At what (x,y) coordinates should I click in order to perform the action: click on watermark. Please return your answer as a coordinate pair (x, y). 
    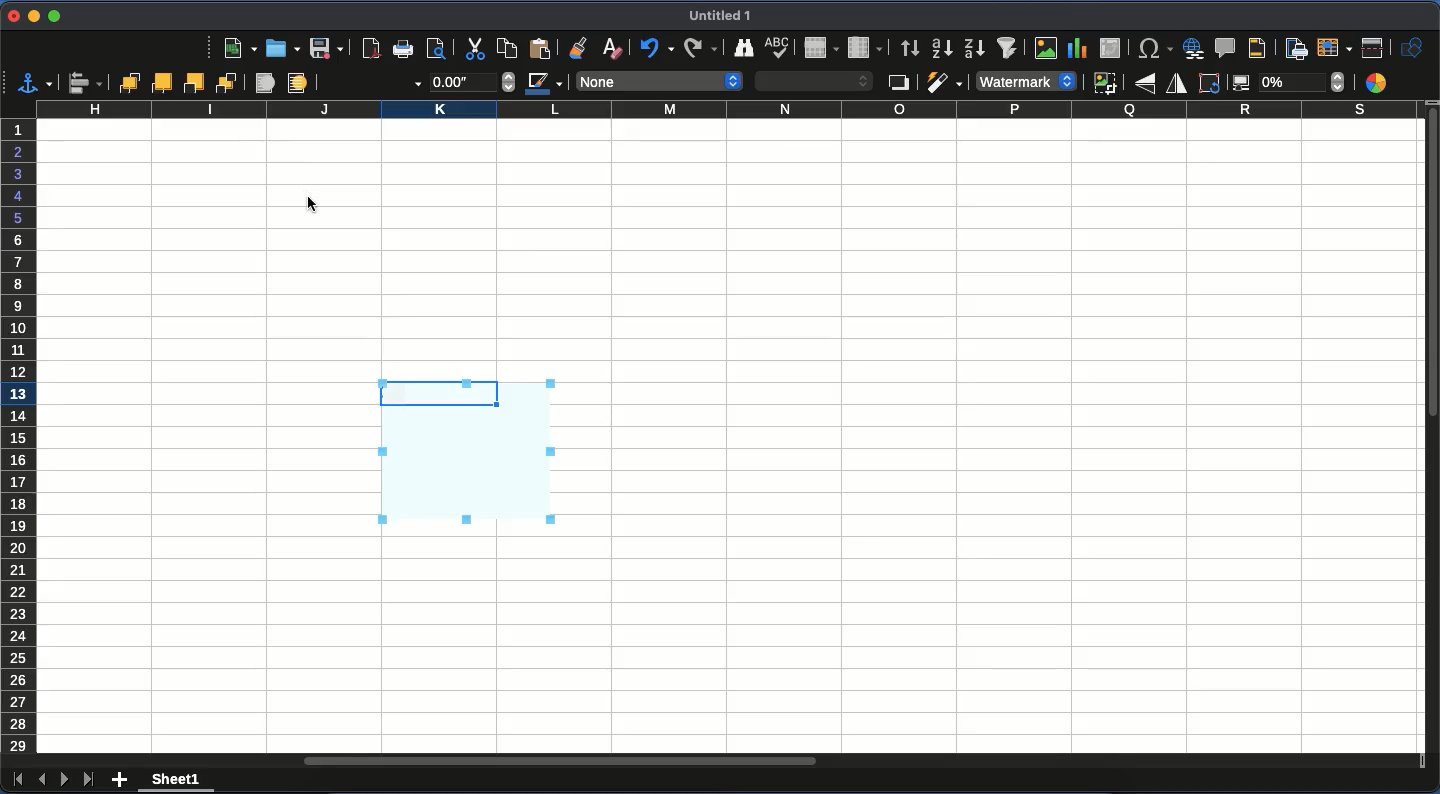
    Looking at the image, I should click on (470, 452).